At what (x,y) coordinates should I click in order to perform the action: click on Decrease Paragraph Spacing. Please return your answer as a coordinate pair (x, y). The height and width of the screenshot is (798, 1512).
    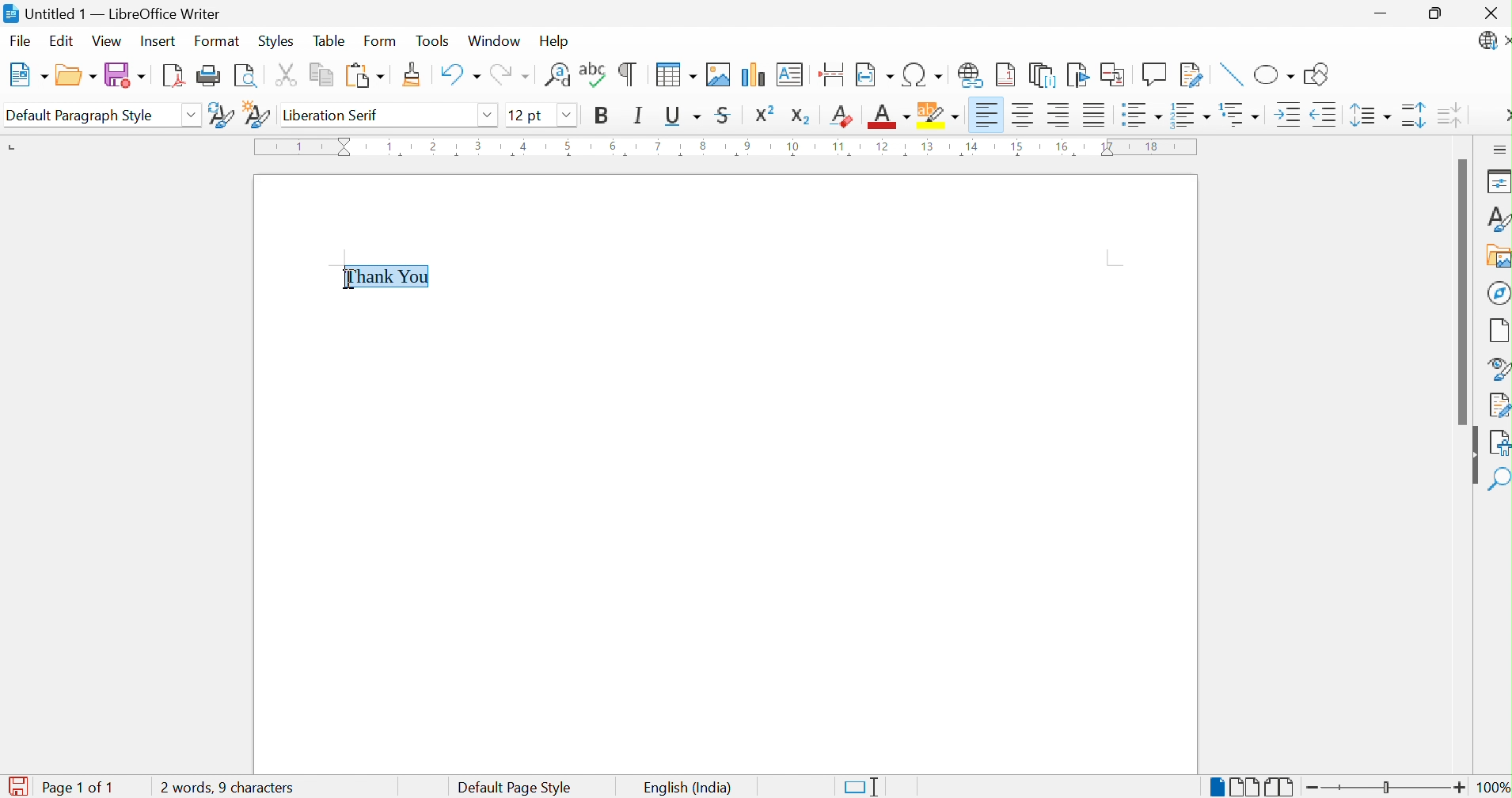
    Looking at the image, I should click on (1451, 117).